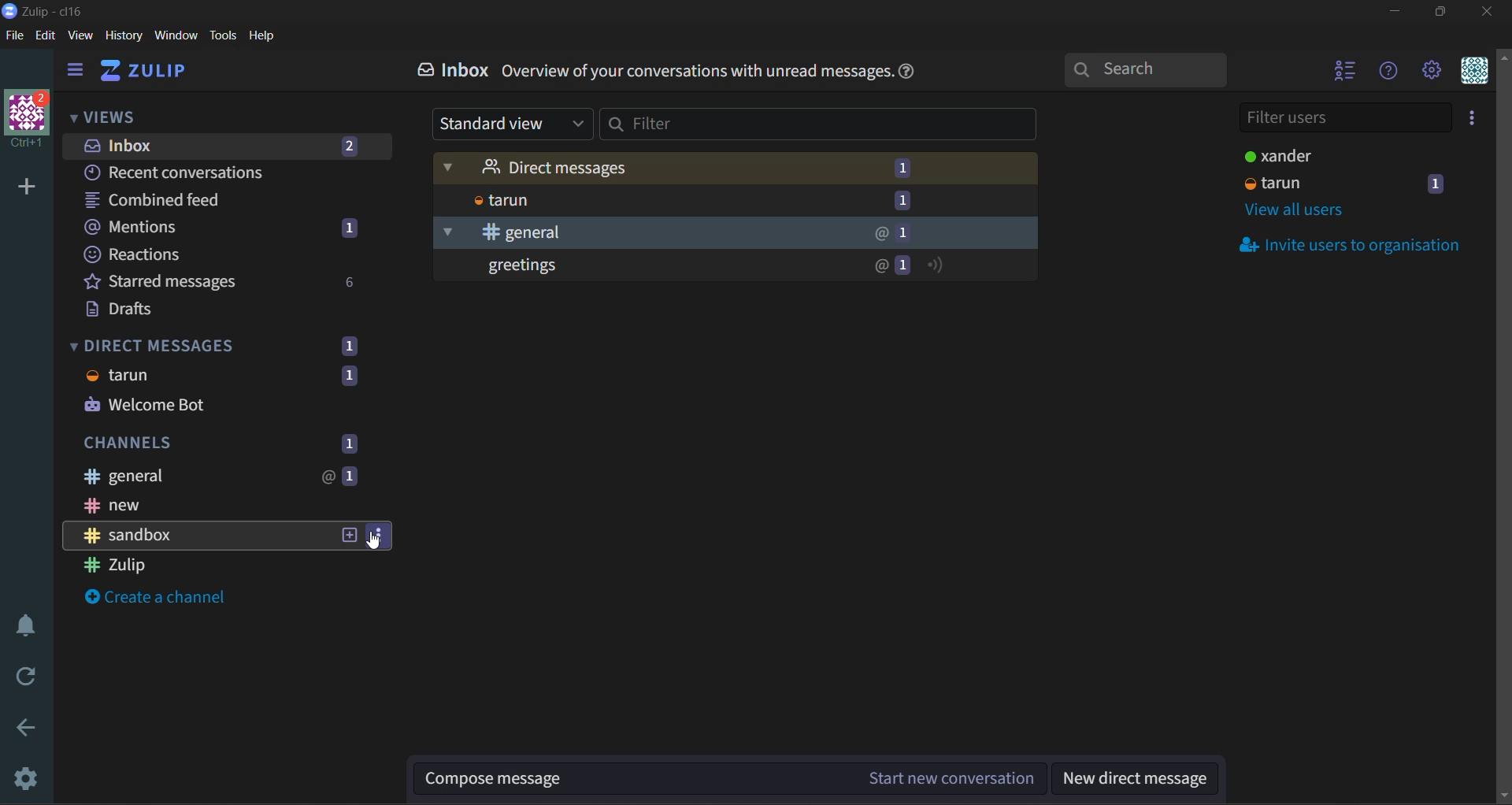 The width and height of the screenshot is (1512, 805). Describe the element at coordinates (23, 625) in the screenshot. I see `enable do not disturb` at that location.